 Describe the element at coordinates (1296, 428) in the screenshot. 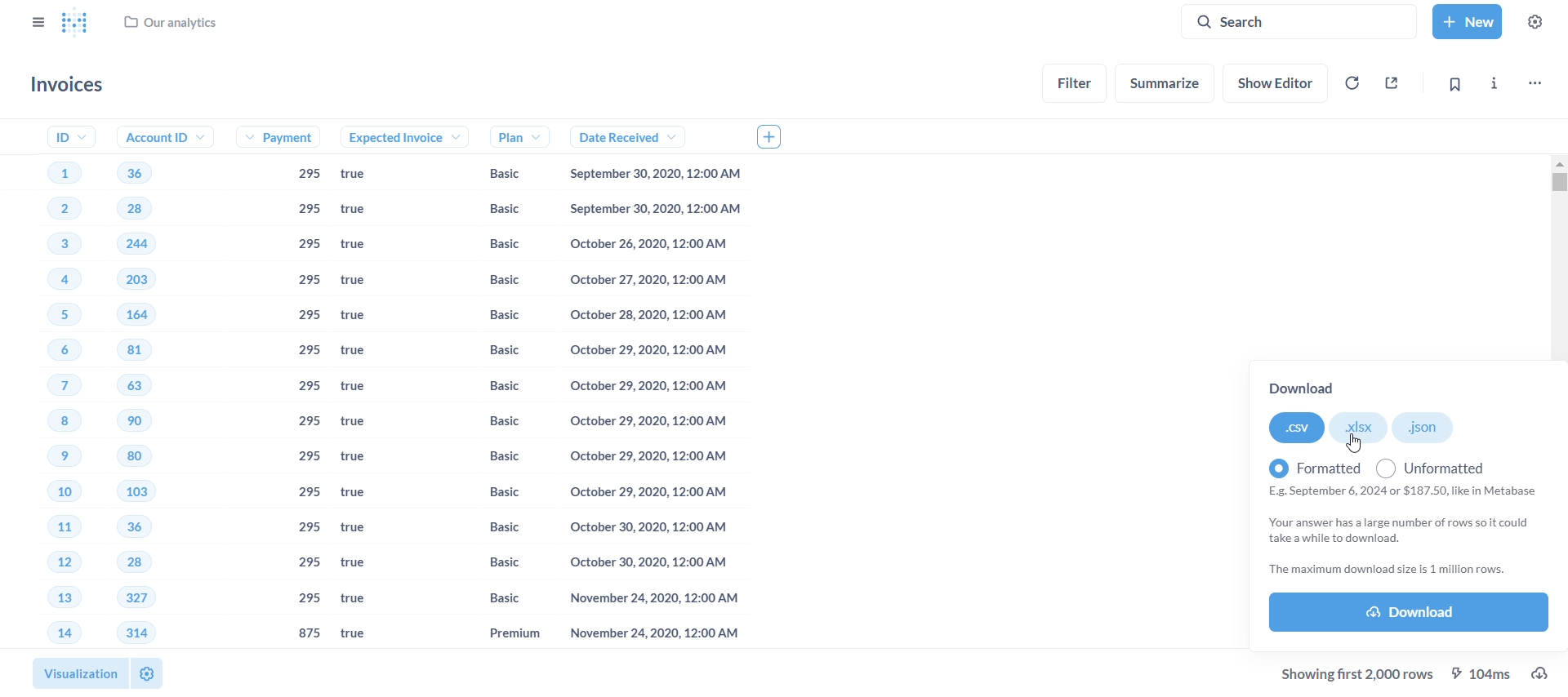

I see `.csv` at that location.